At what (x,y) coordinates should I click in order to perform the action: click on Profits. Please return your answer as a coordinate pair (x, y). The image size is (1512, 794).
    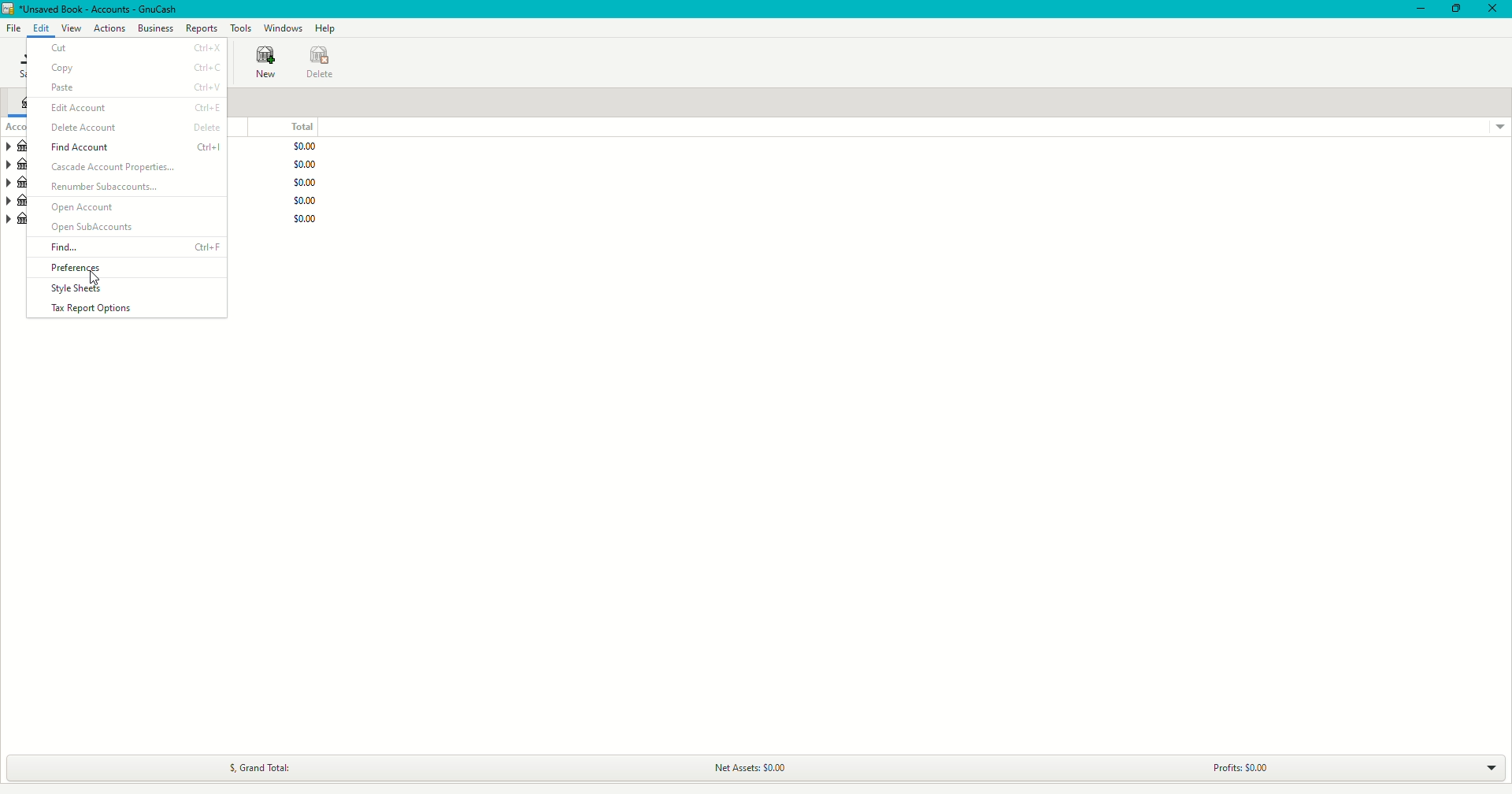
    Looking at the image, I should click on (1253, 763).